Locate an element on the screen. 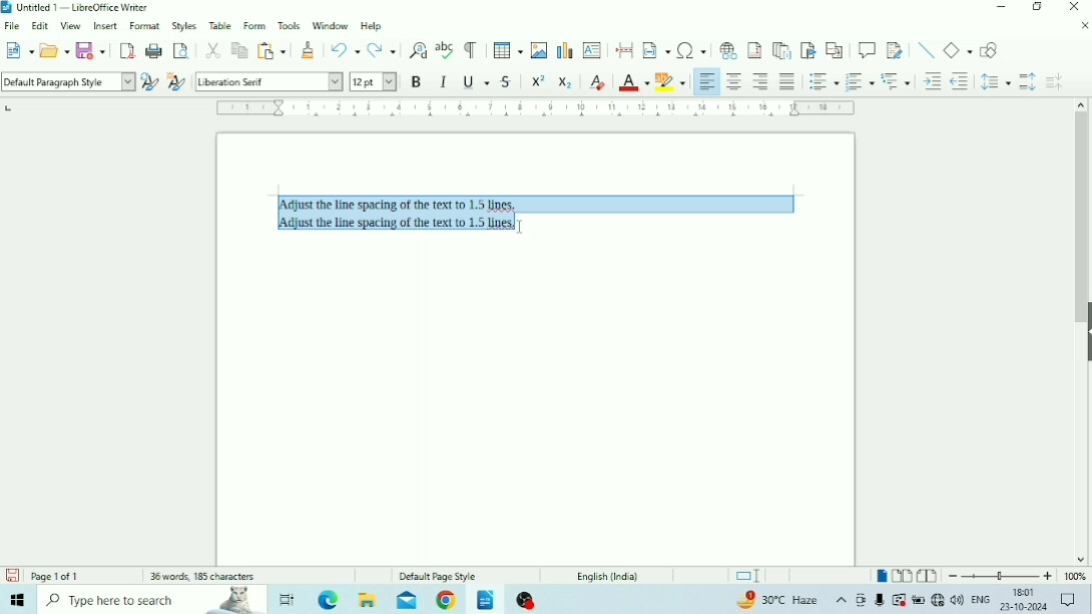 Image resolution: width=1092 pixels, height=614 pixels. Paste is located at coordinates (273, 51).